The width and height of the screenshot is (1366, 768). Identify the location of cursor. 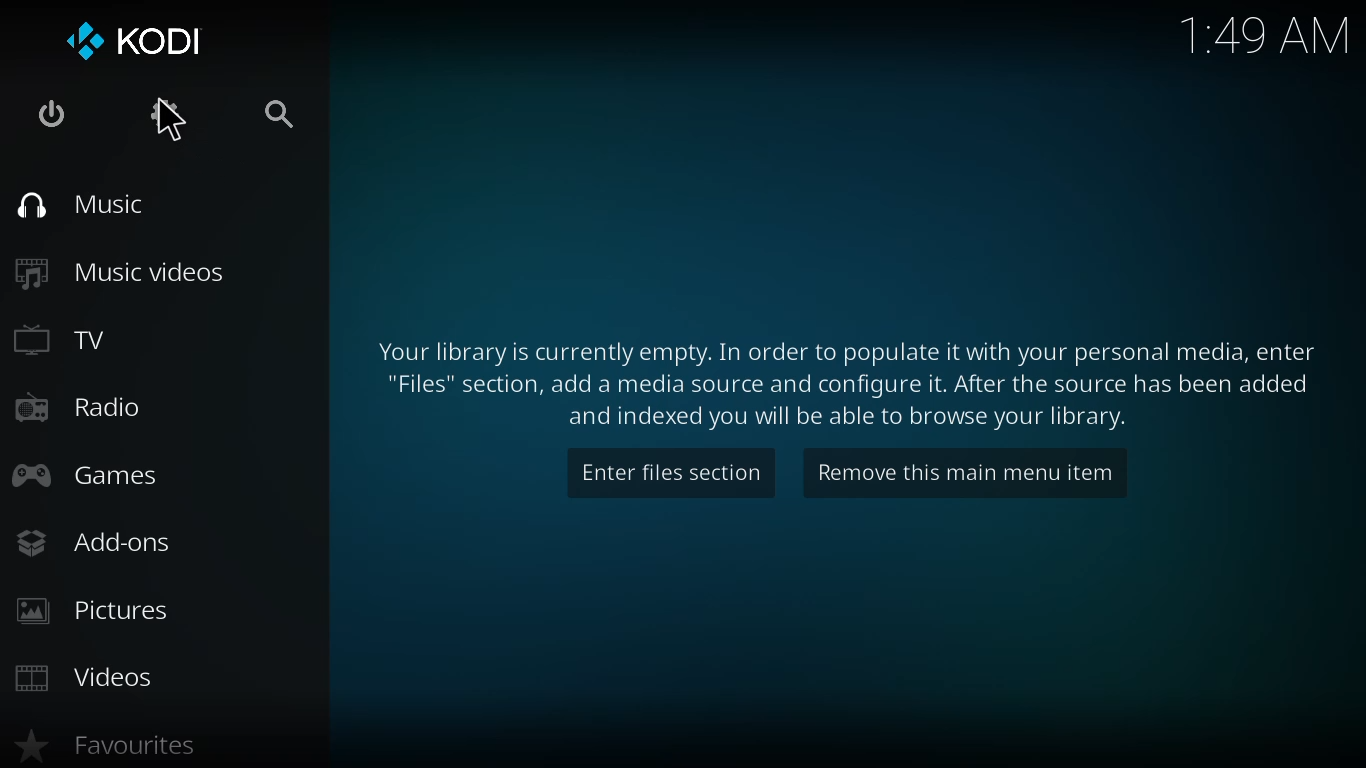
(173, 121).